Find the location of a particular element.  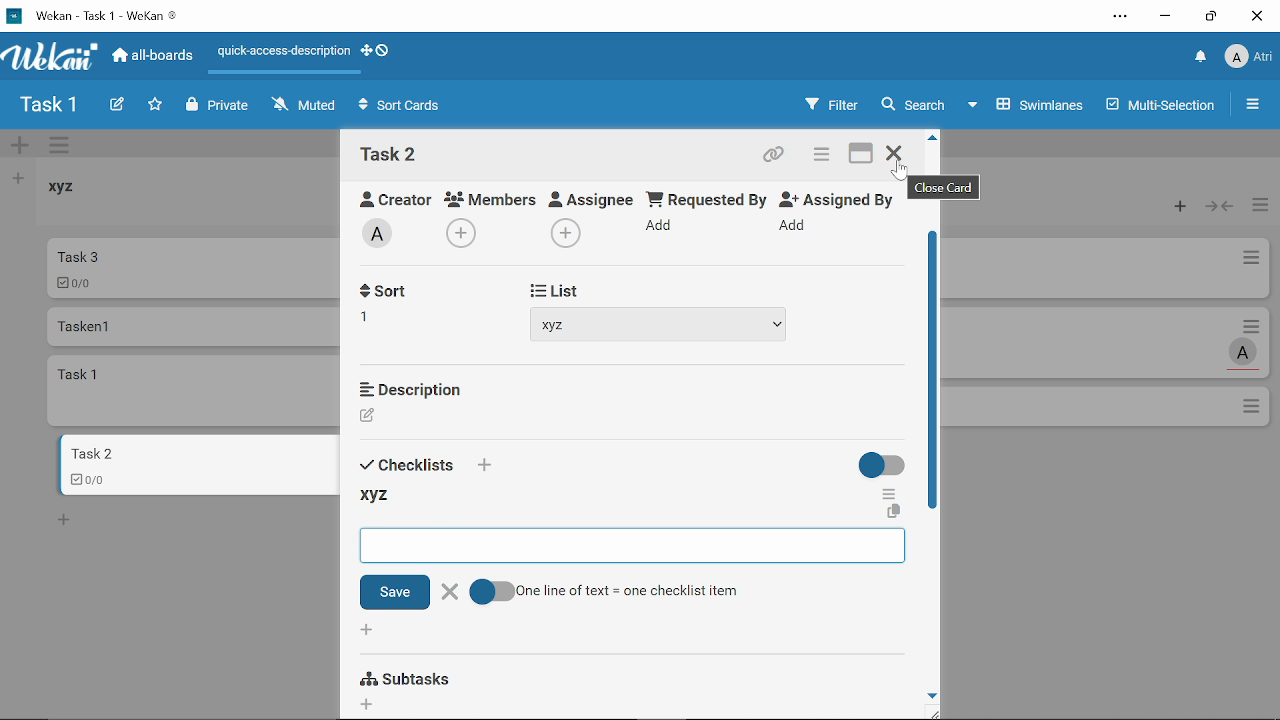

Close is located at coordinates (1256, 16).